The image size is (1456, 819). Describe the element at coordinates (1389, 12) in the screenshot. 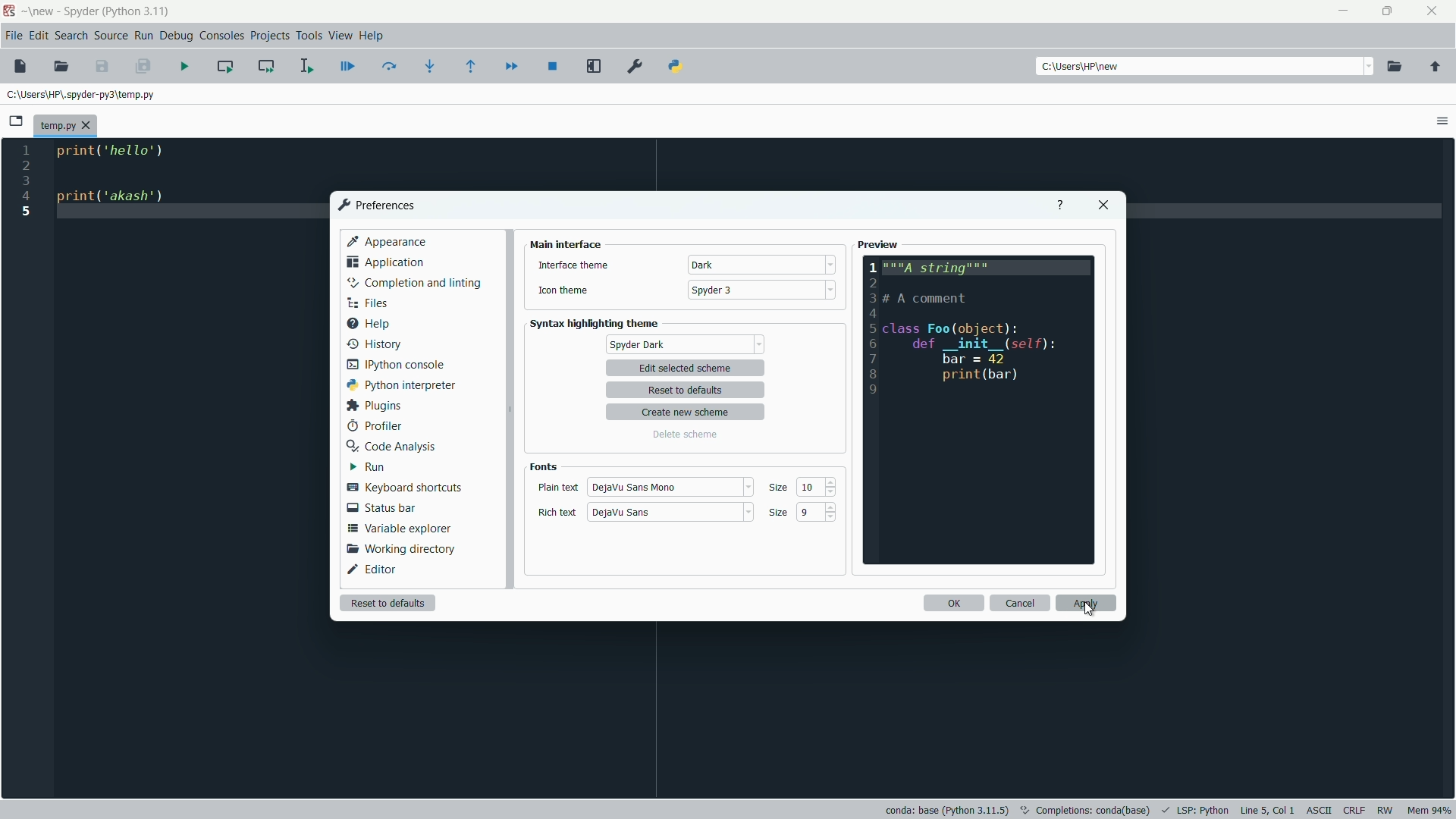

I see `maximize` at that location.